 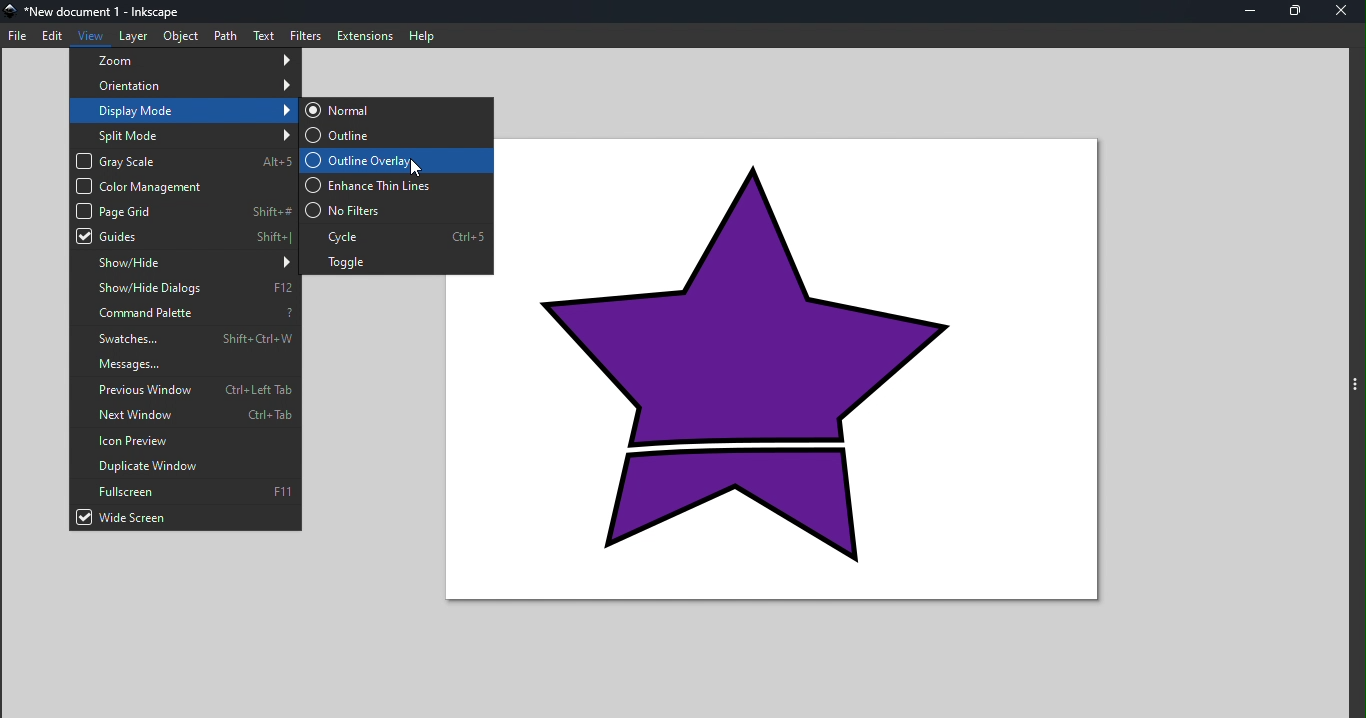 What do you see at coordinates (186, 289) in the screenshot?
I see `Show/hide dialogs` at bounding box center [186, 289].